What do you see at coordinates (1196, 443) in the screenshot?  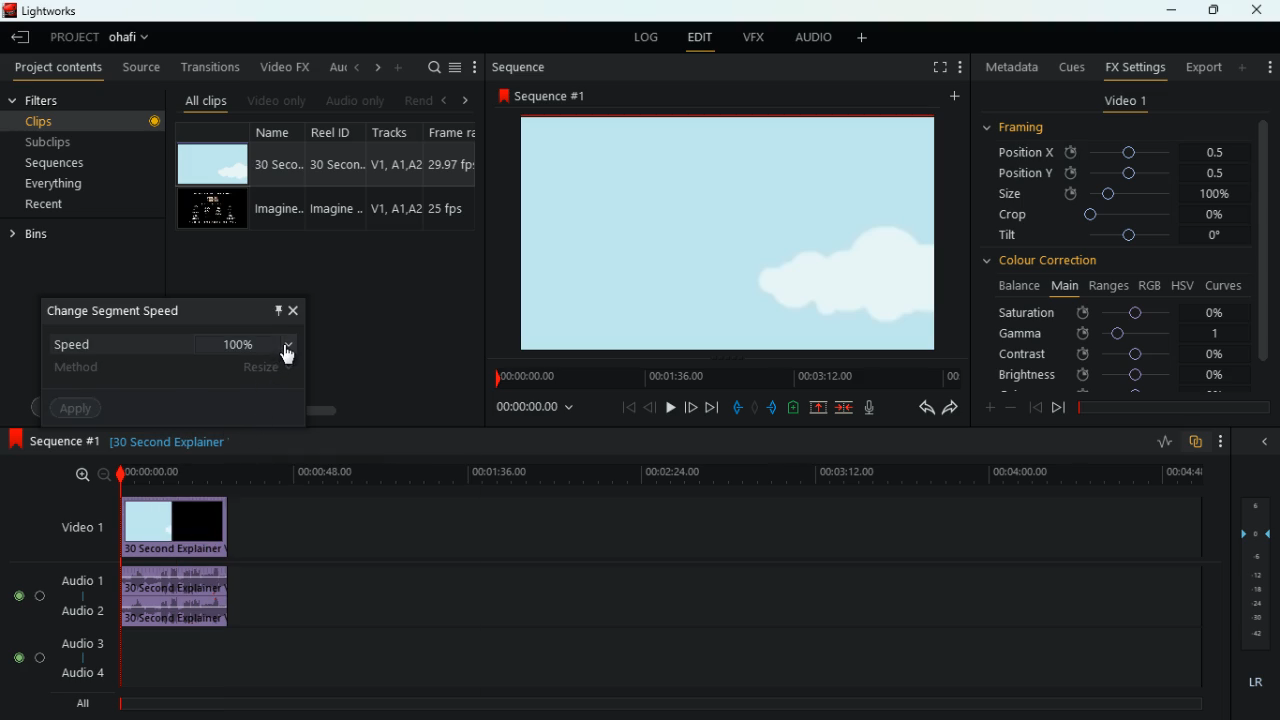 I see `overlap` at bounding box center [1196, 443].